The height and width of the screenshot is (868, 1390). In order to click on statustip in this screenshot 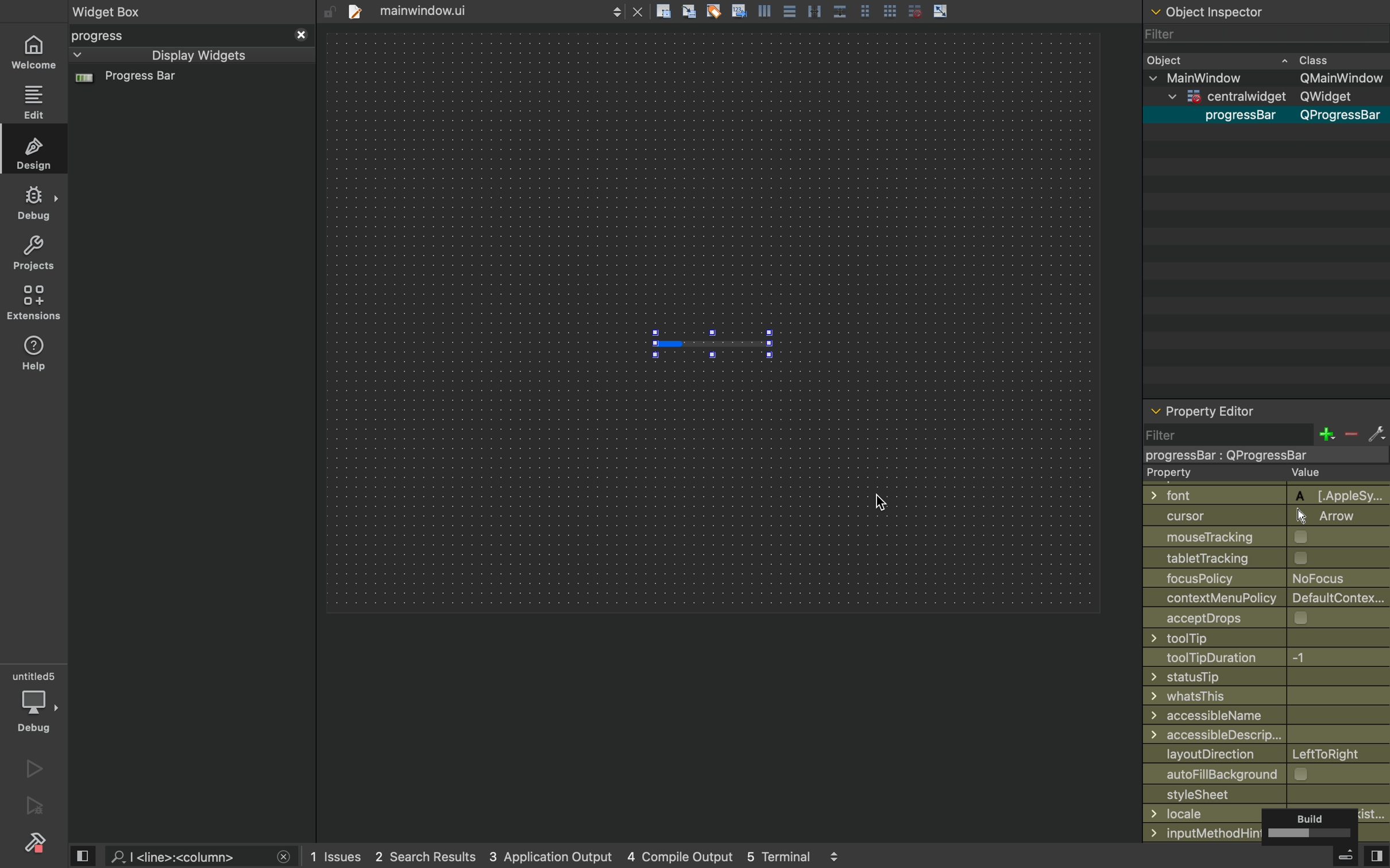, I will do `click(1262, 676)`.